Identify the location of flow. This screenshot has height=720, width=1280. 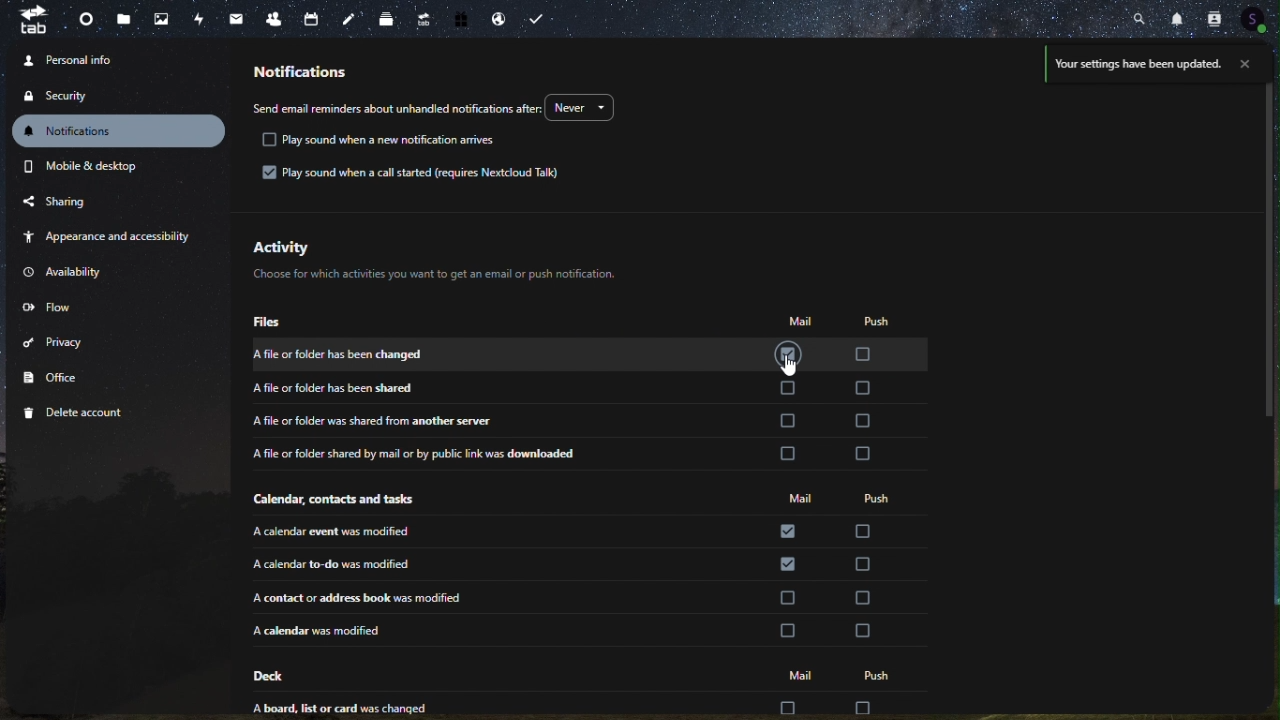
(57, 307).